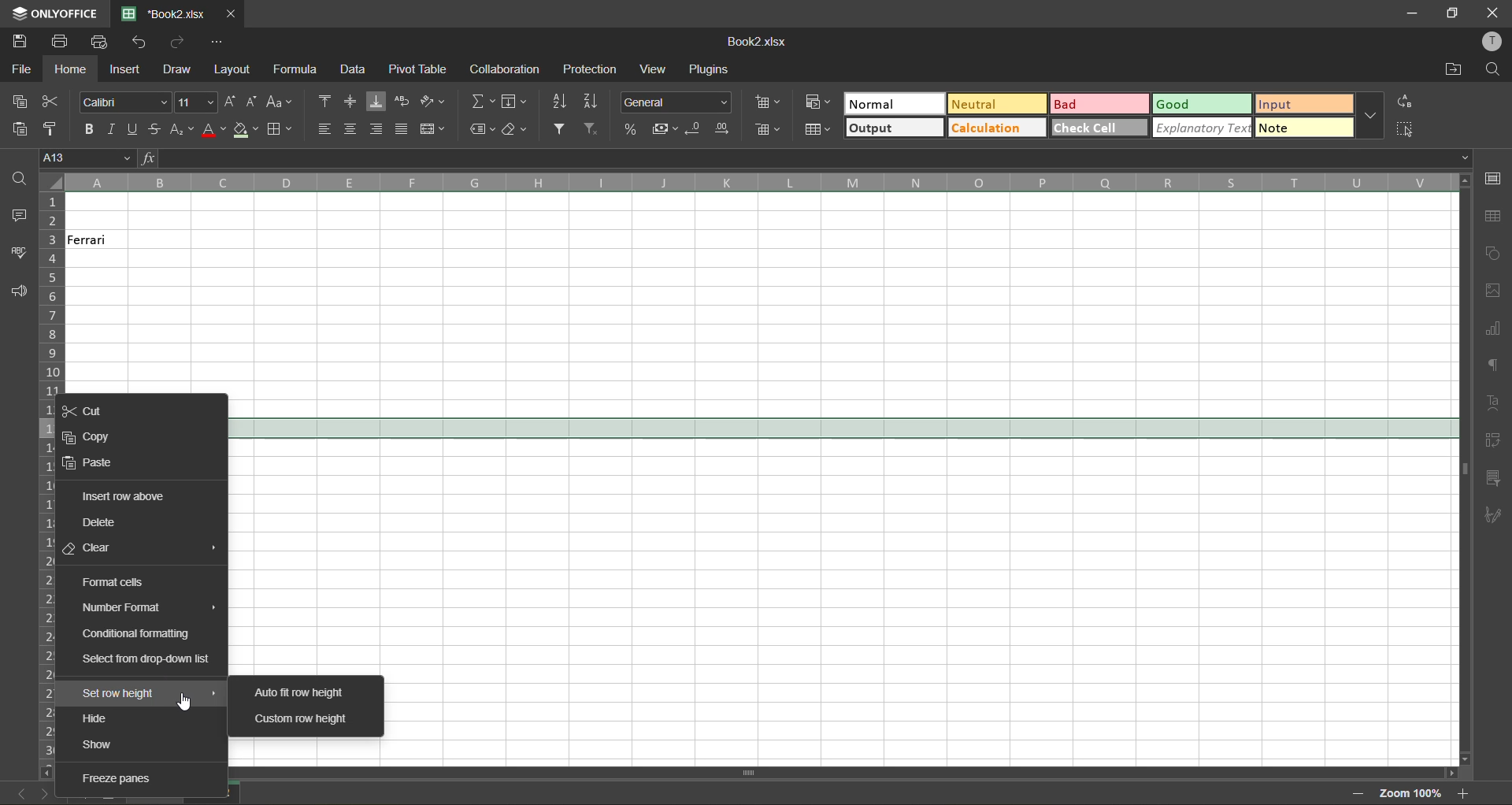  What do you see at coordinates (150, 158) in the screenshot?
I see `fx` at bounding box center [150, 158].